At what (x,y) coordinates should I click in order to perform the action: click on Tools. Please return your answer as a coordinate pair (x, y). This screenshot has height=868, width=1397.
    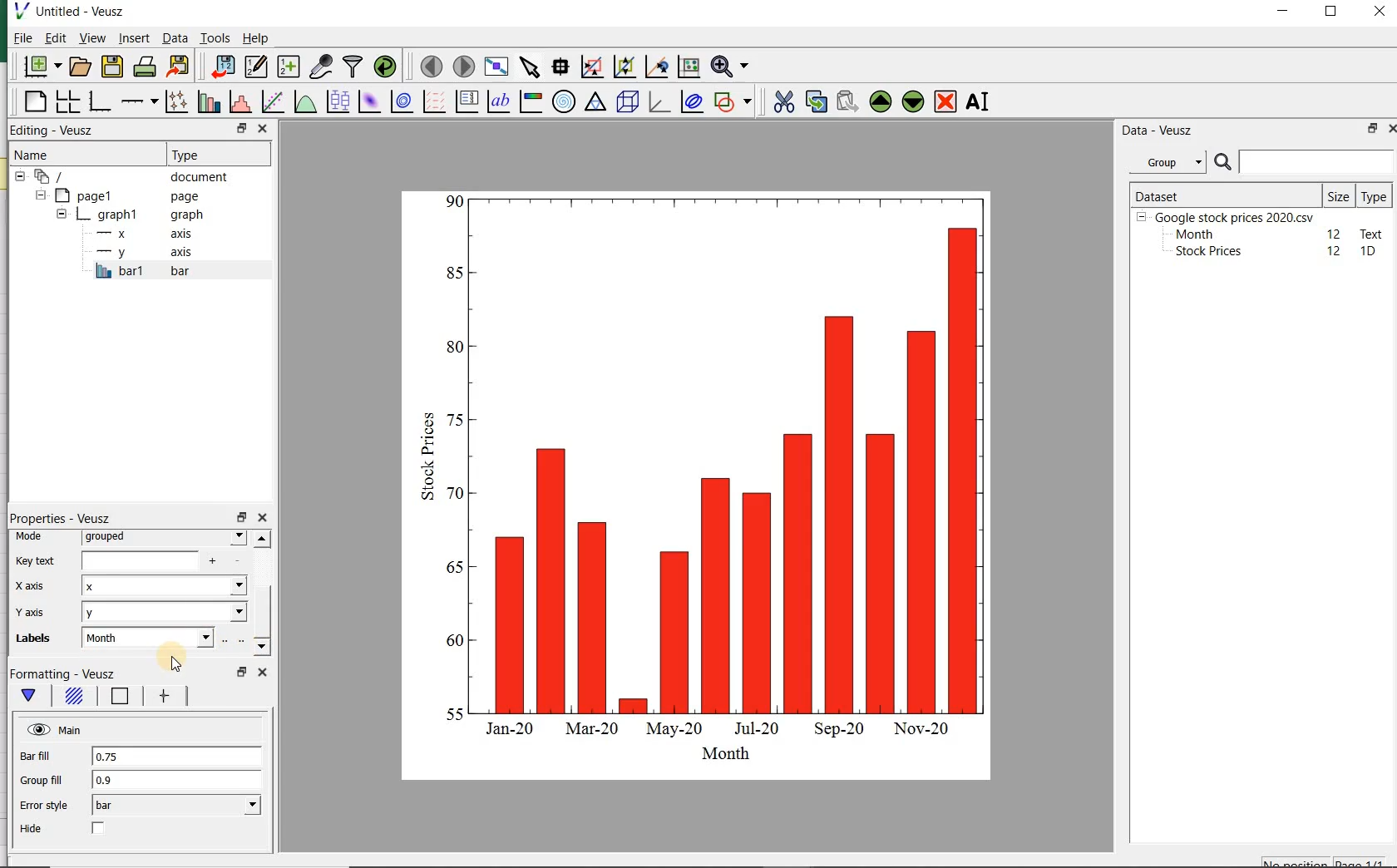
    Looking at the image, I should click on (215, 38).